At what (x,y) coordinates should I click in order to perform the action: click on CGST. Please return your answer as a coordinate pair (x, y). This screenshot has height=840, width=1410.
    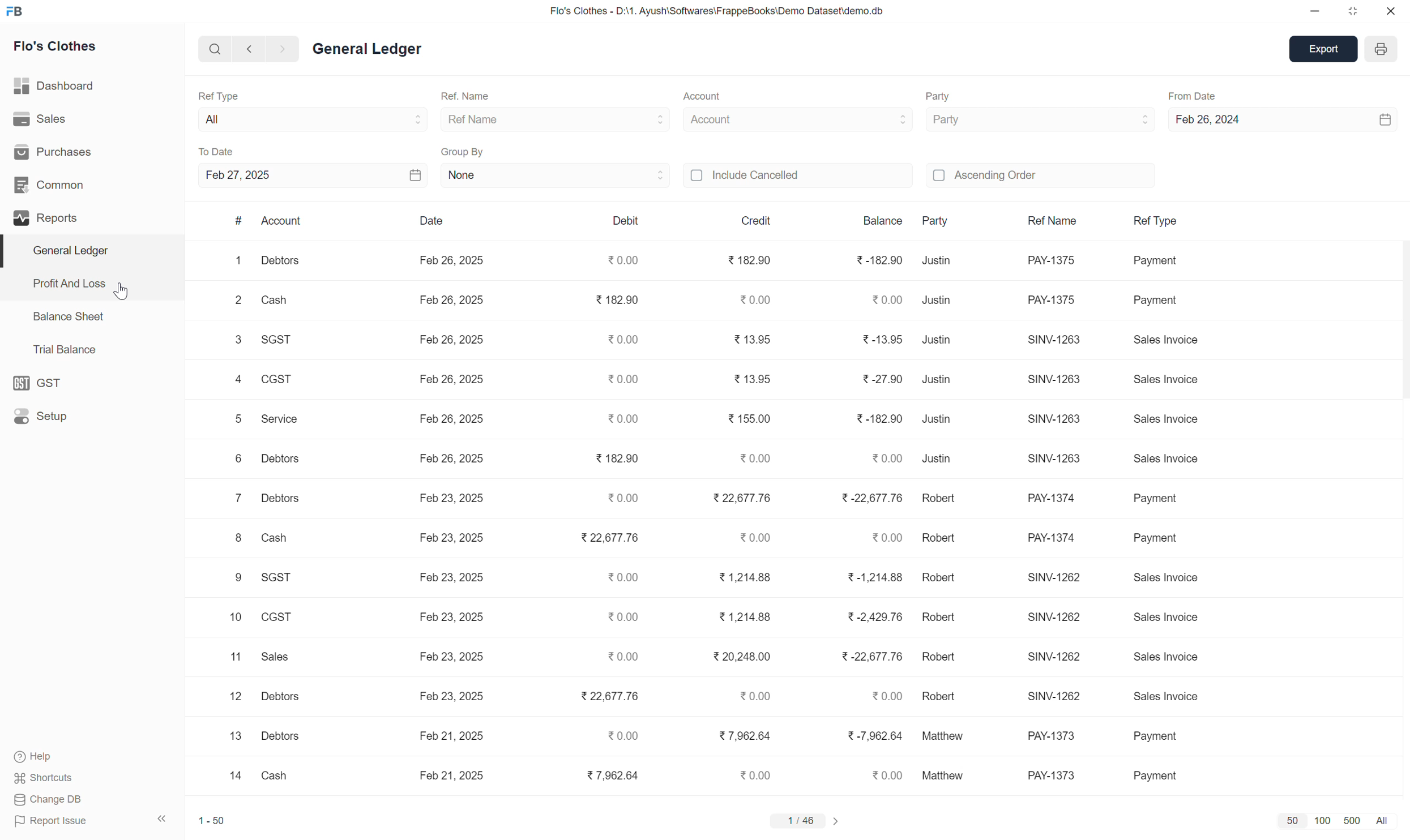
    Looking at the image, I should click on (276, 379).